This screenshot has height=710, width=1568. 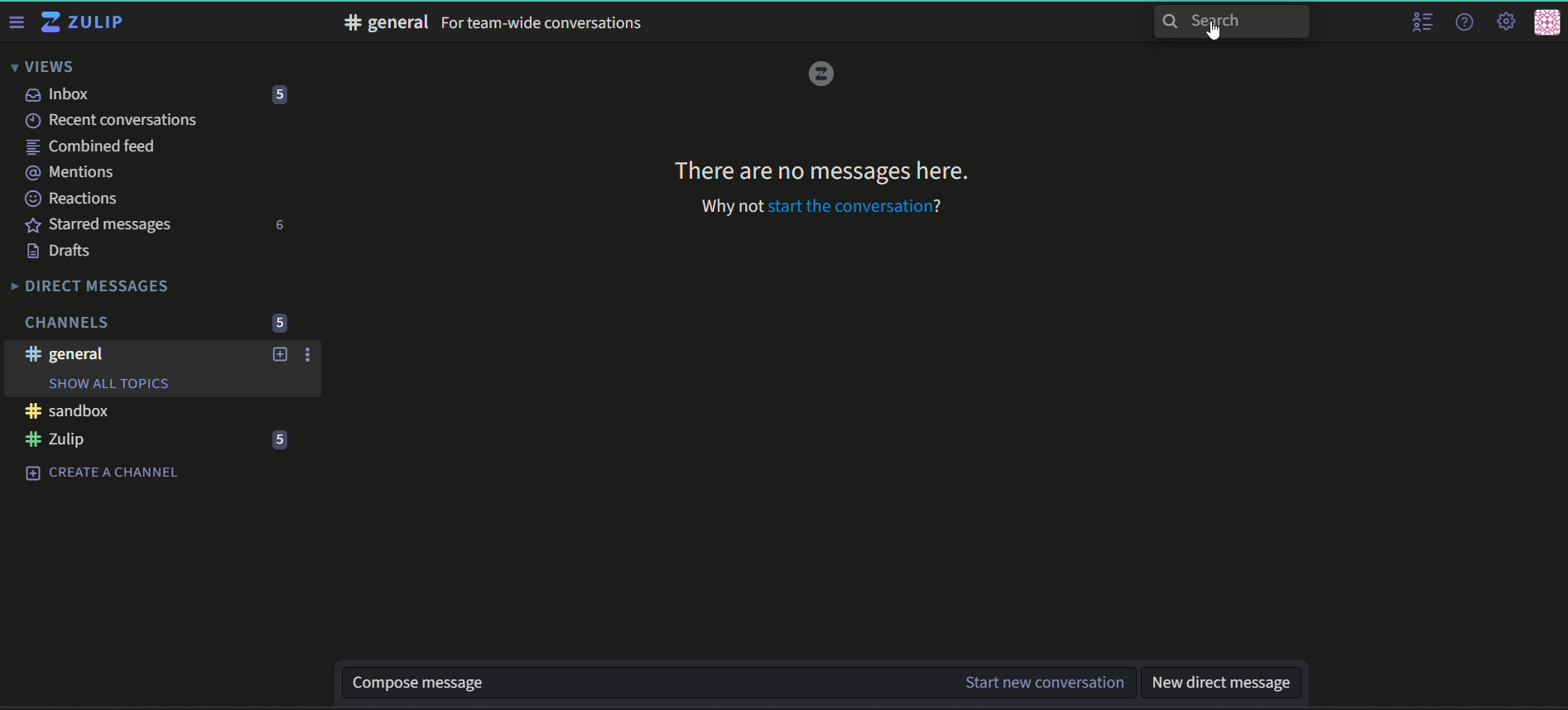 What do you see at coordinates (1508, 19) in the screenshot?
I see `main menu` at bounding box center [1508, 19].